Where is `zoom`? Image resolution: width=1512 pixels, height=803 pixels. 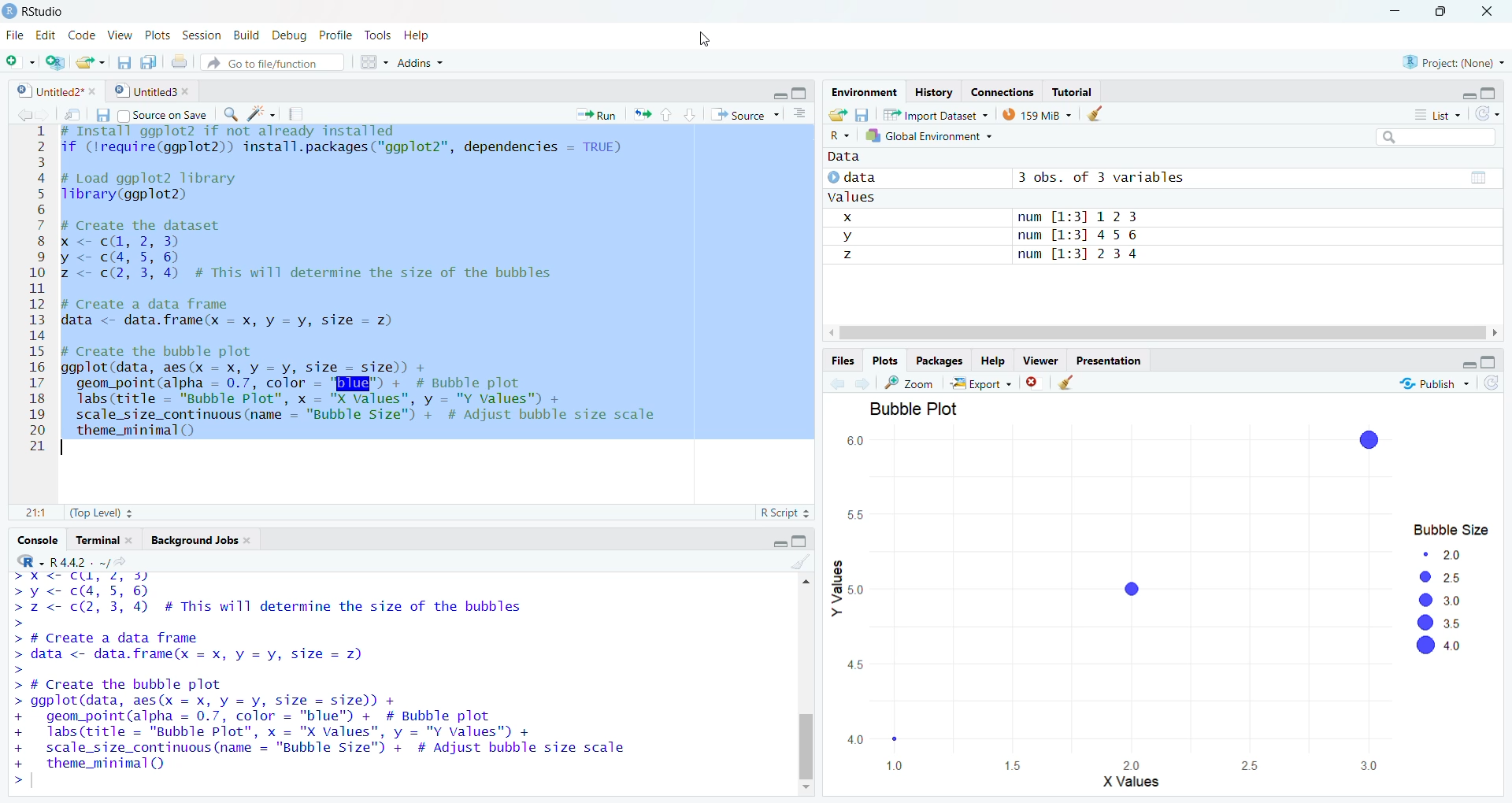 zoom is located at coordinates (911, 383).